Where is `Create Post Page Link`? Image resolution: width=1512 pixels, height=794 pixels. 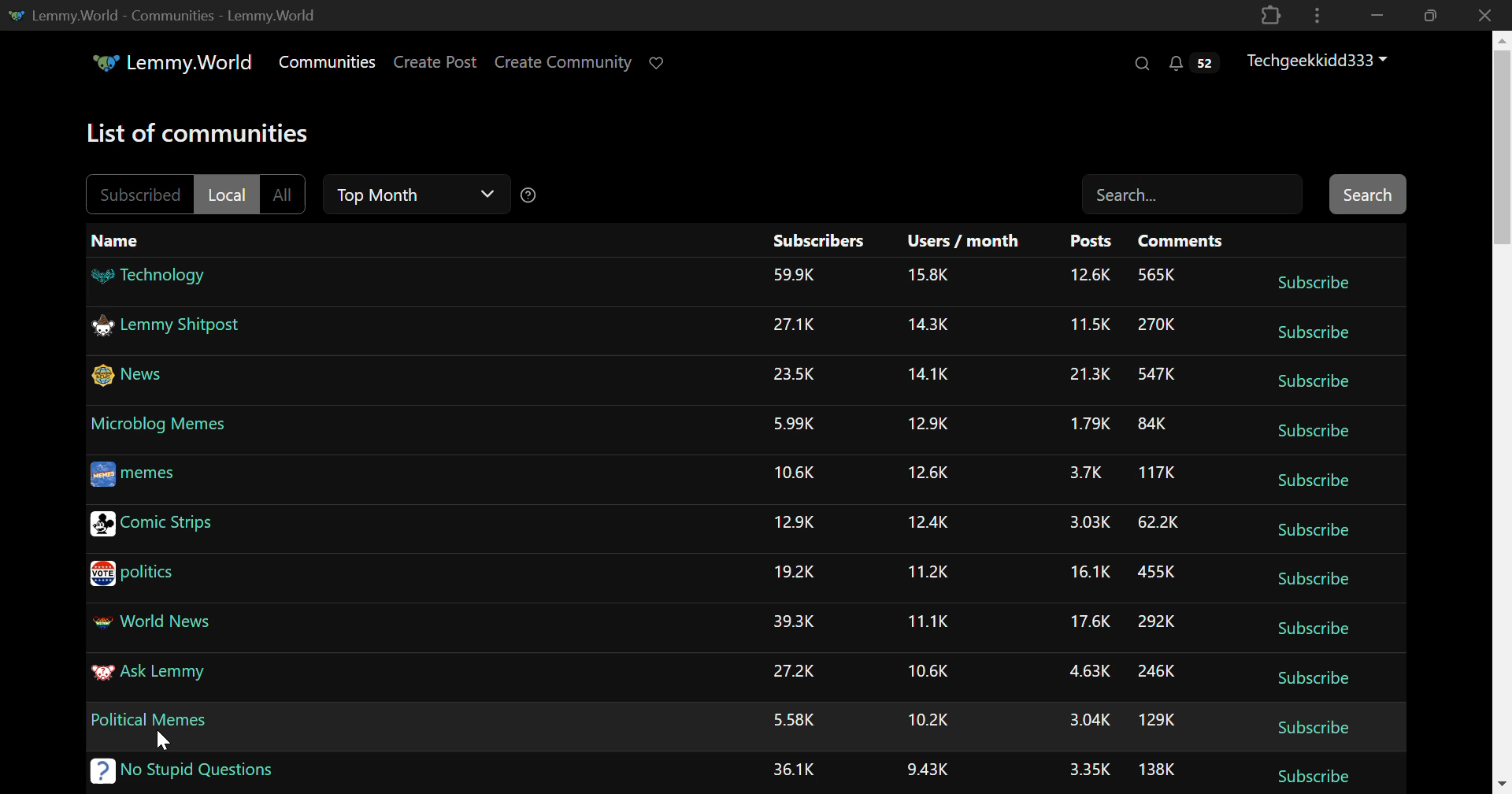
Create Post Page Link is located at coordinates (435, 63).